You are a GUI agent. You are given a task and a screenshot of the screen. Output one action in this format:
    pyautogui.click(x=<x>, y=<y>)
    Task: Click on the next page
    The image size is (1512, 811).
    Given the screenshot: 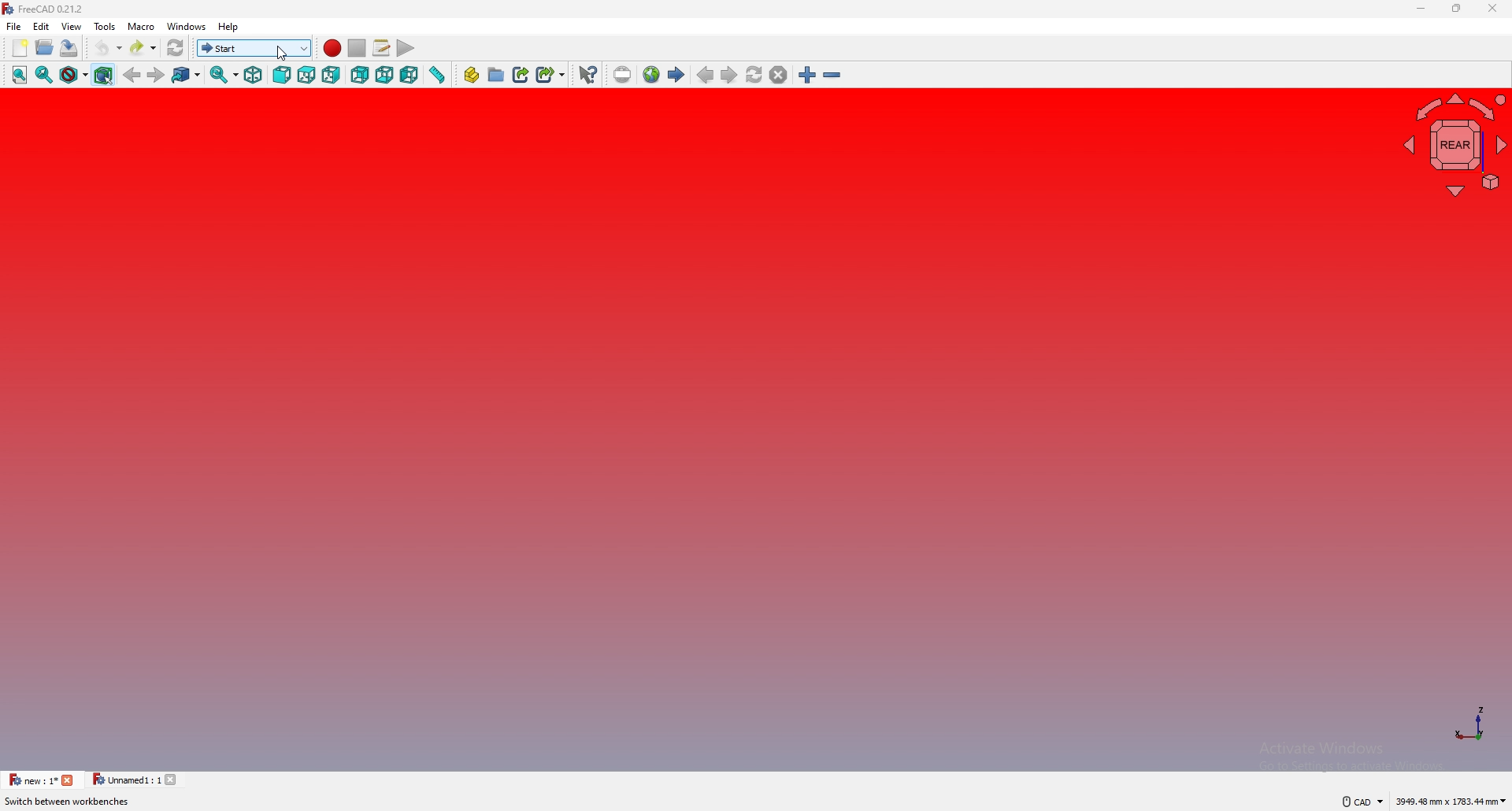 What is the action you would take?
    pyautogui.click(x=728, y=74)
    